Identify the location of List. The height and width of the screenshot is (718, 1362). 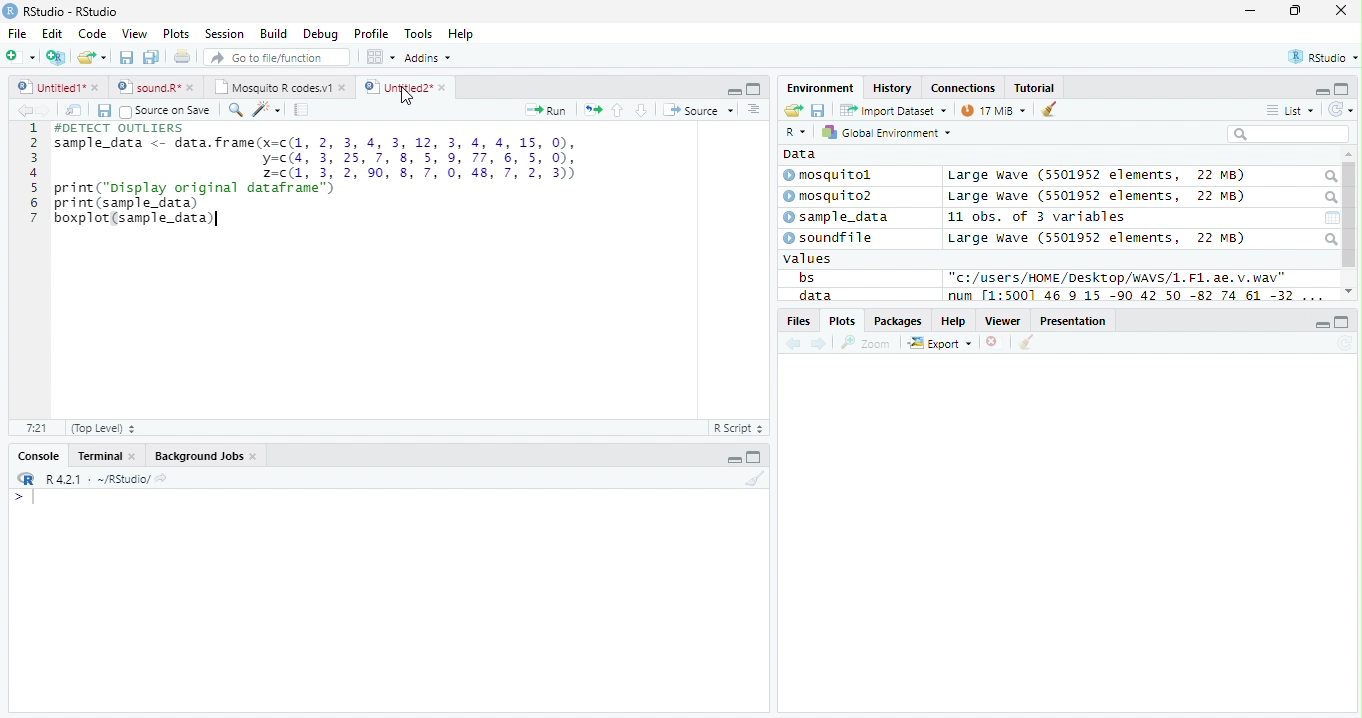
(1290, 110).